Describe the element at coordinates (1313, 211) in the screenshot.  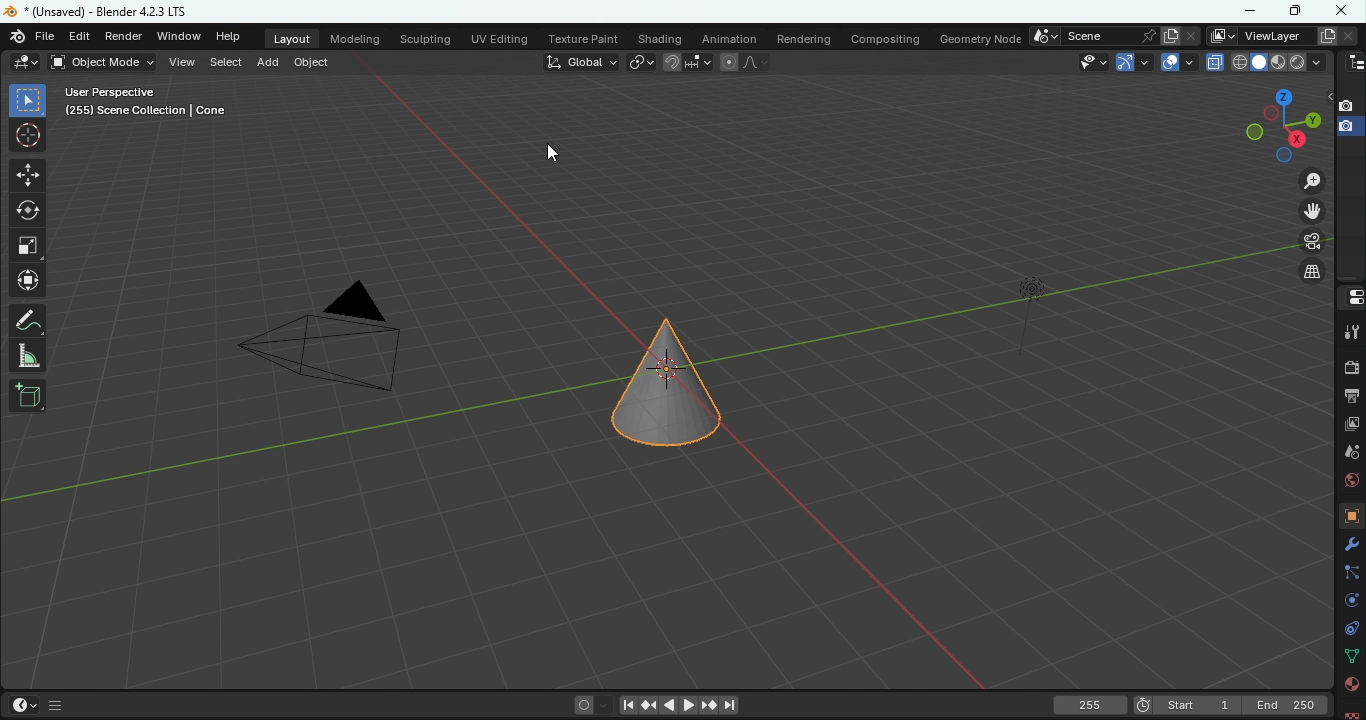
I see `Move he view` at that location.